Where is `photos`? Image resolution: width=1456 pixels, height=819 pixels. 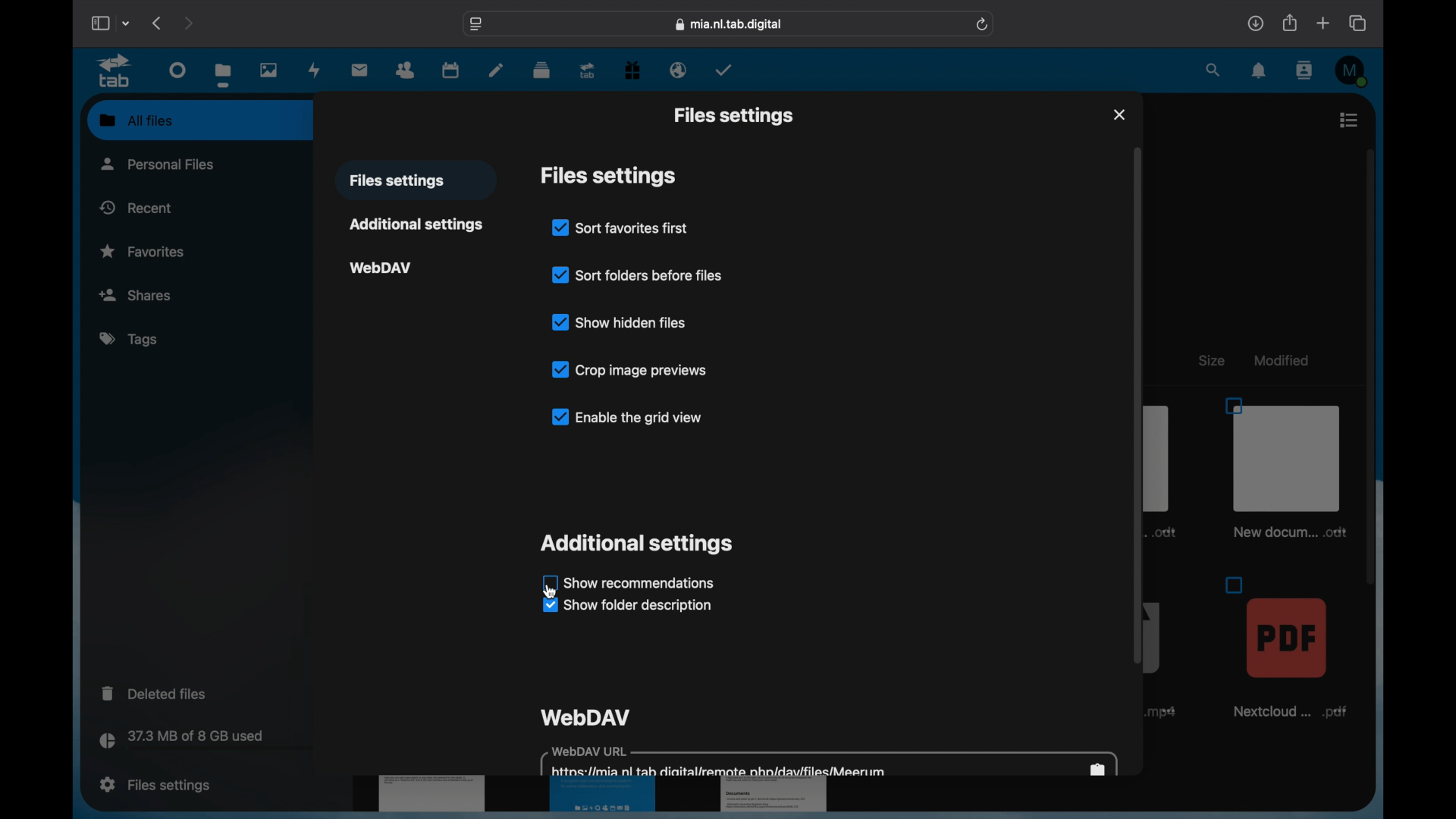
photos is located at coordinates (268, 70).